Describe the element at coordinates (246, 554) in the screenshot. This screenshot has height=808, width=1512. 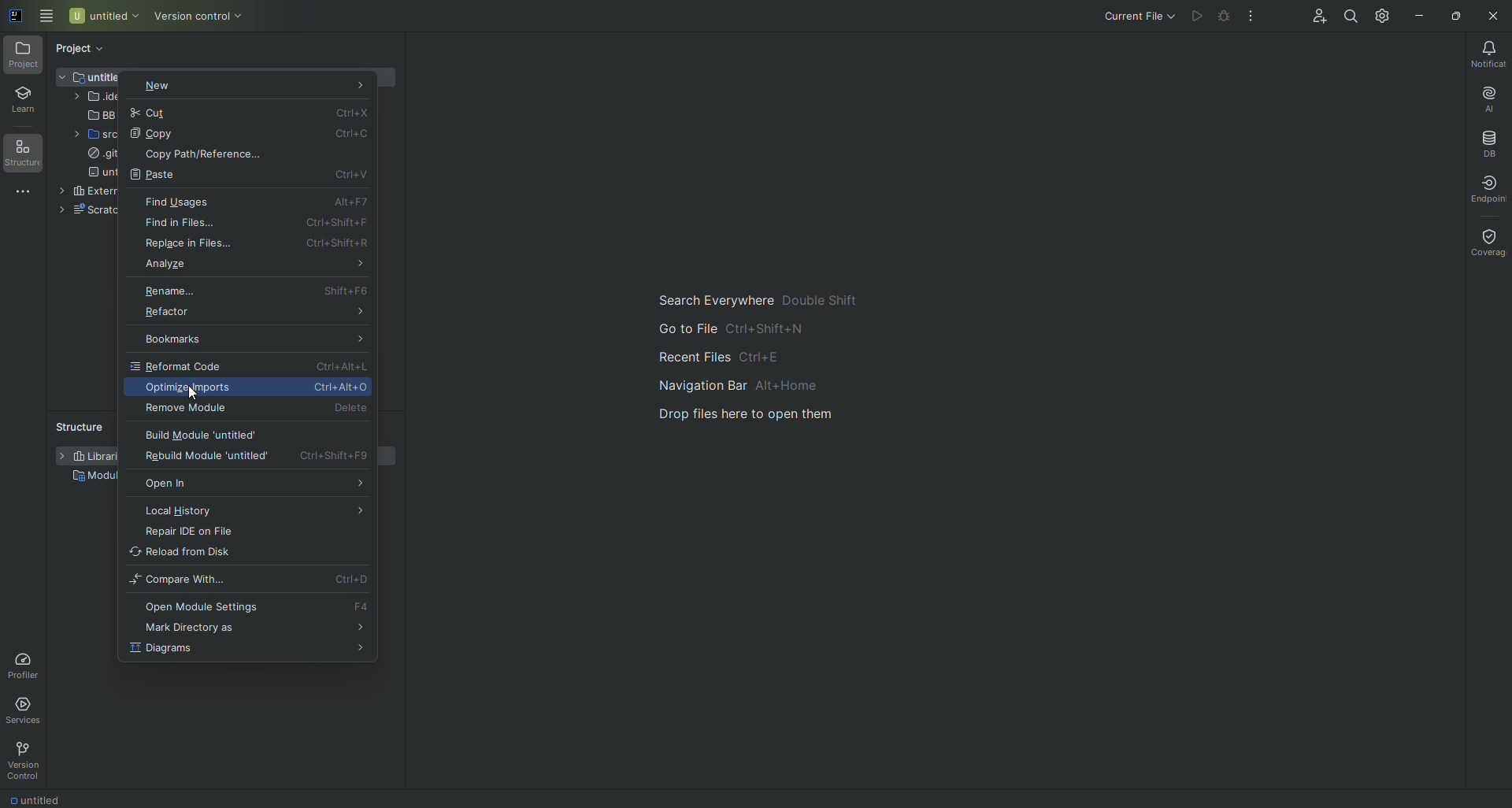
I see `Reload from Disk` at that location.